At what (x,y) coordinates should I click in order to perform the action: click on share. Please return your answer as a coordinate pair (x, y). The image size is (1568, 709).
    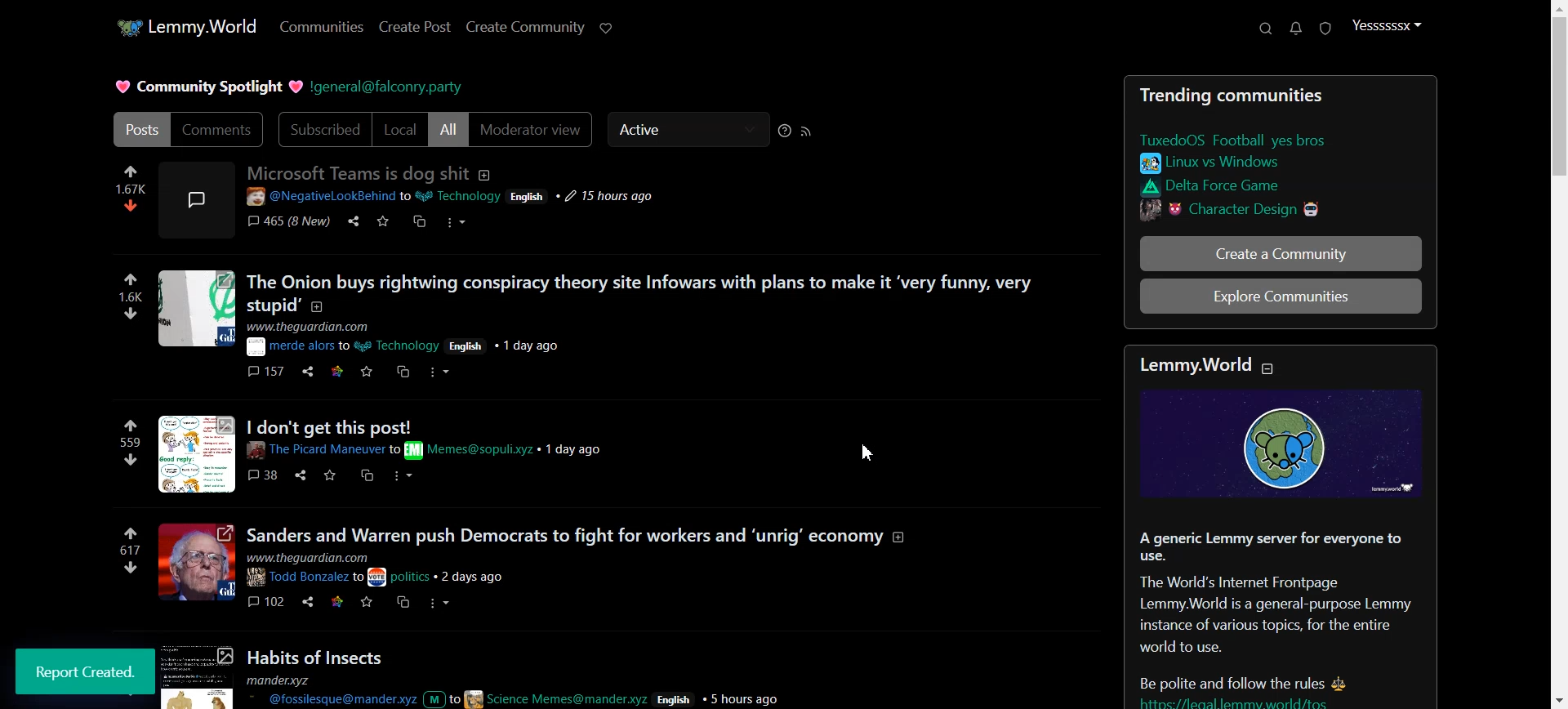
    Looking at the image, I should click on (355, 222).